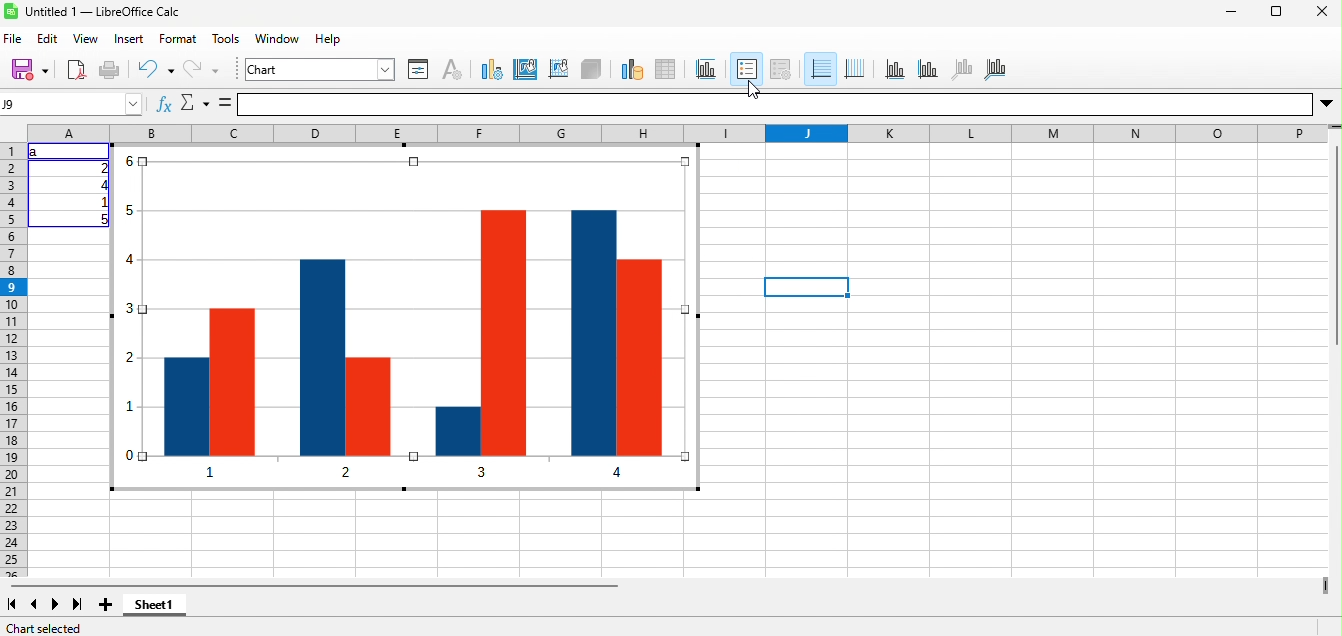  What do you see at coordinates (1326, 104) in the screenshot?
I see `More options` at bounding box center [1326, 104].